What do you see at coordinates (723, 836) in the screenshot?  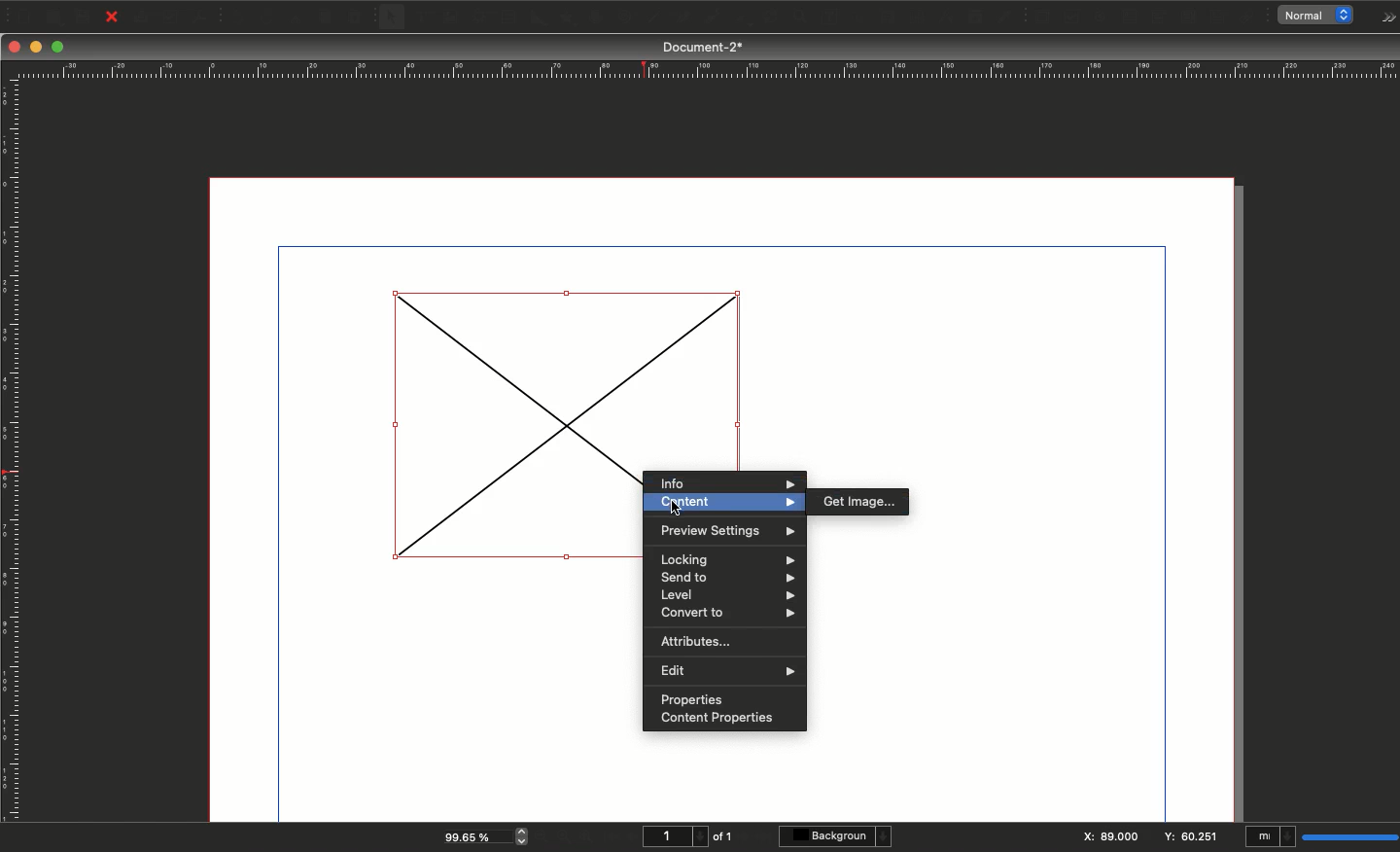 I see `of 1` at bounding box center [723, 836].